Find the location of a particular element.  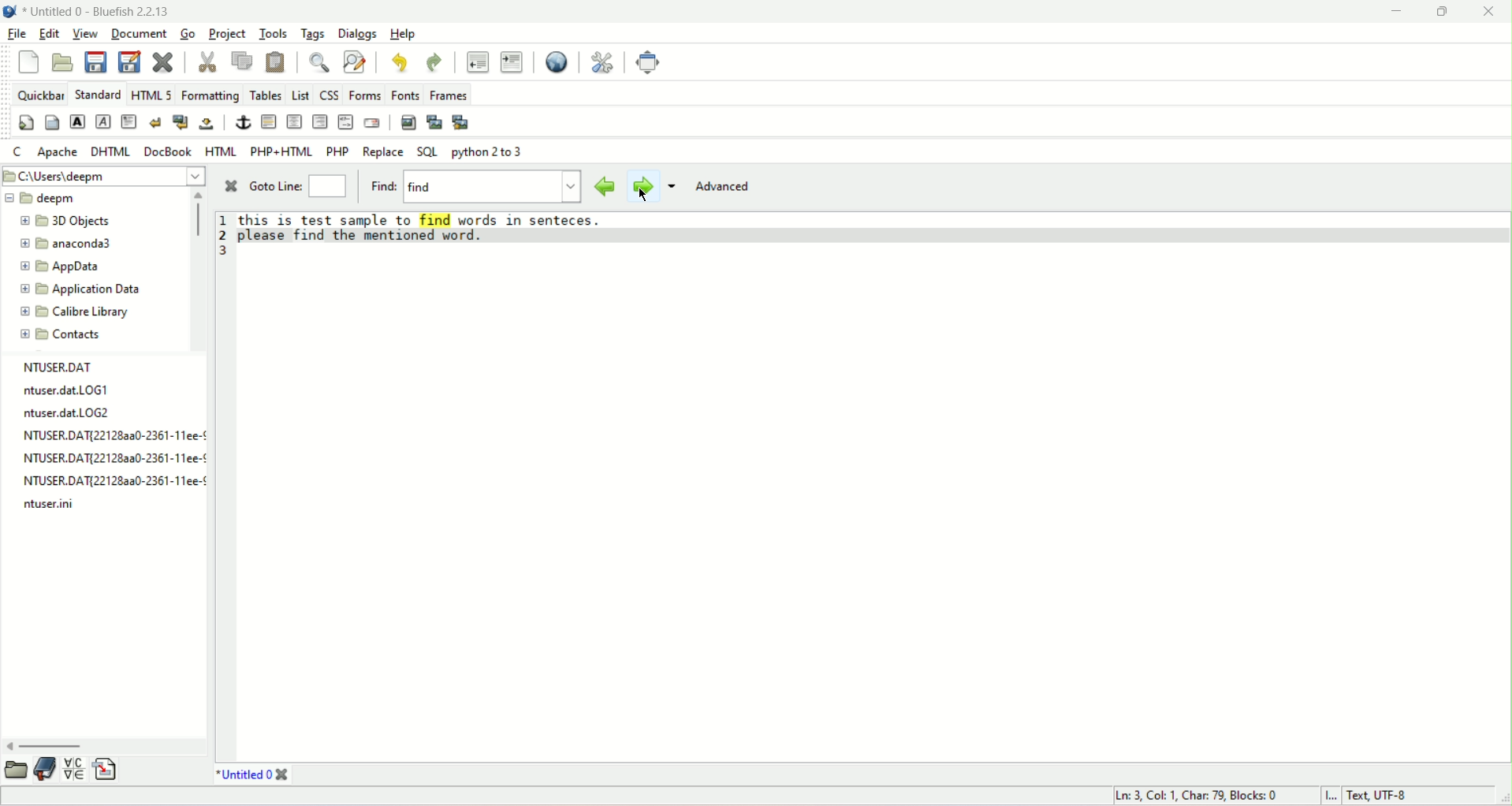

find is located at coordinates (492, 187).